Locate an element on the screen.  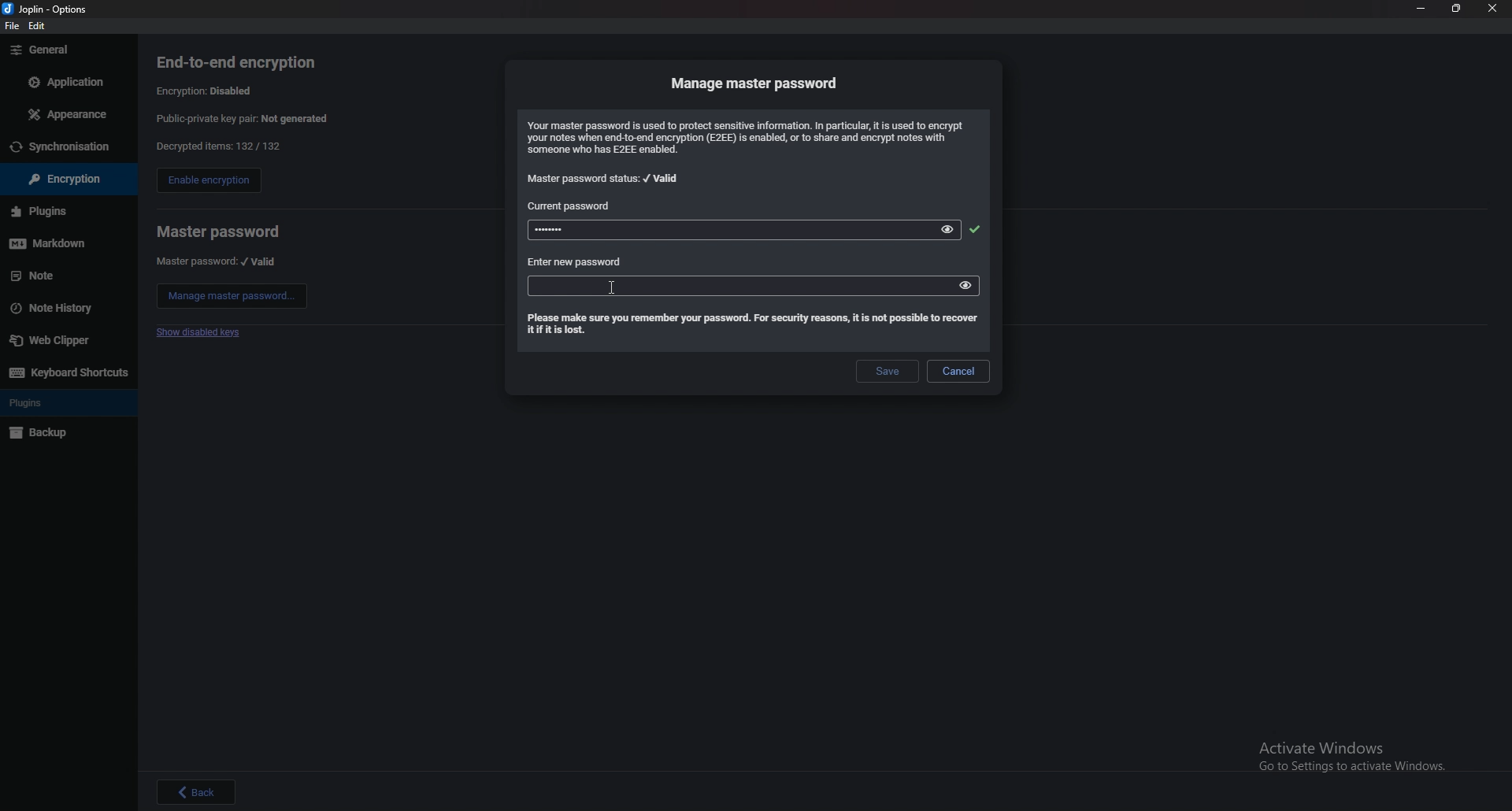
enter new password is located at coordinates (576, 262).